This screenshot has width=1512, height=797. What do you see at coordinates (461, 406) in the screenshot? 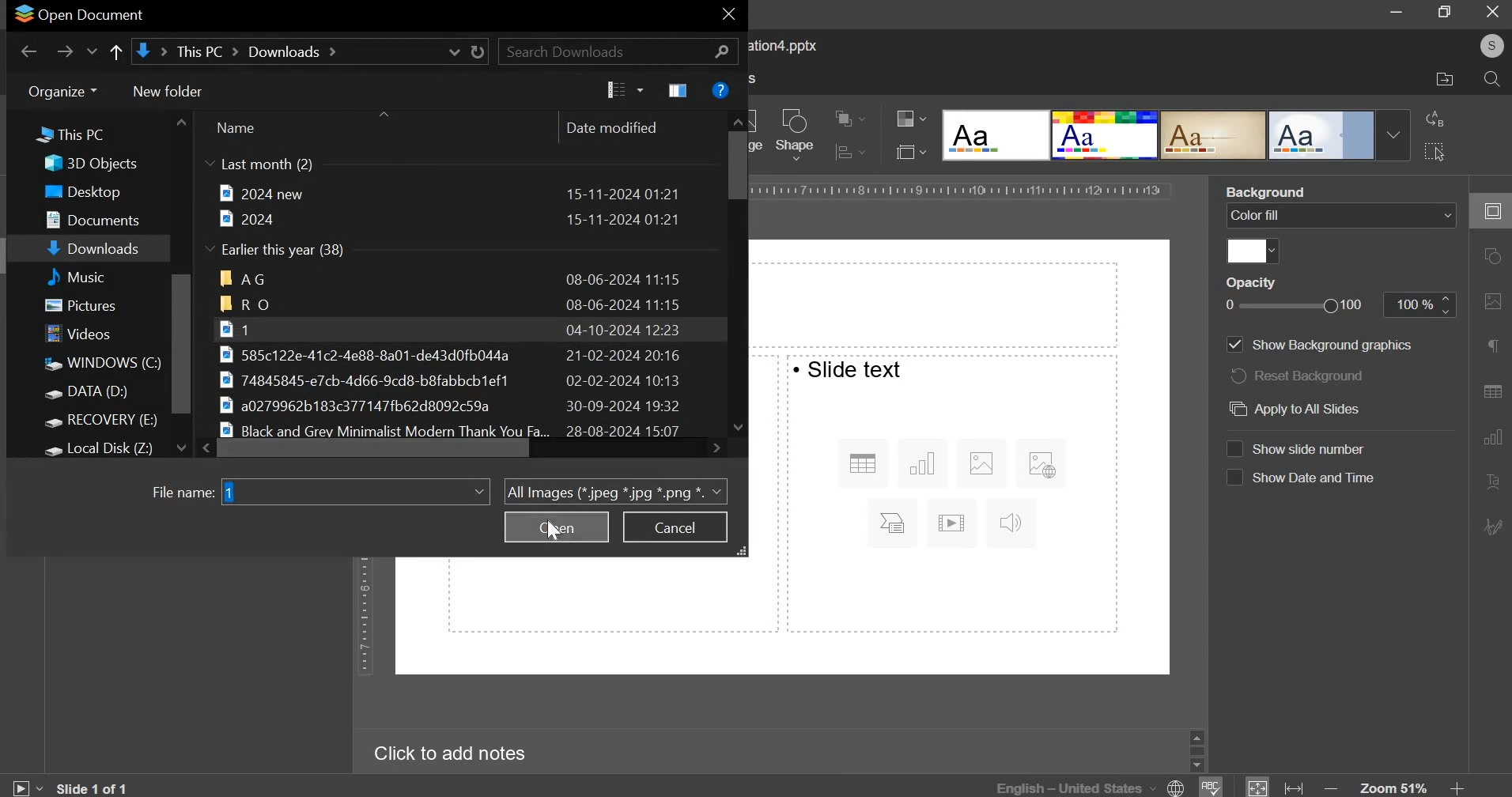
I see `image file` at bounding box center [461, 406].